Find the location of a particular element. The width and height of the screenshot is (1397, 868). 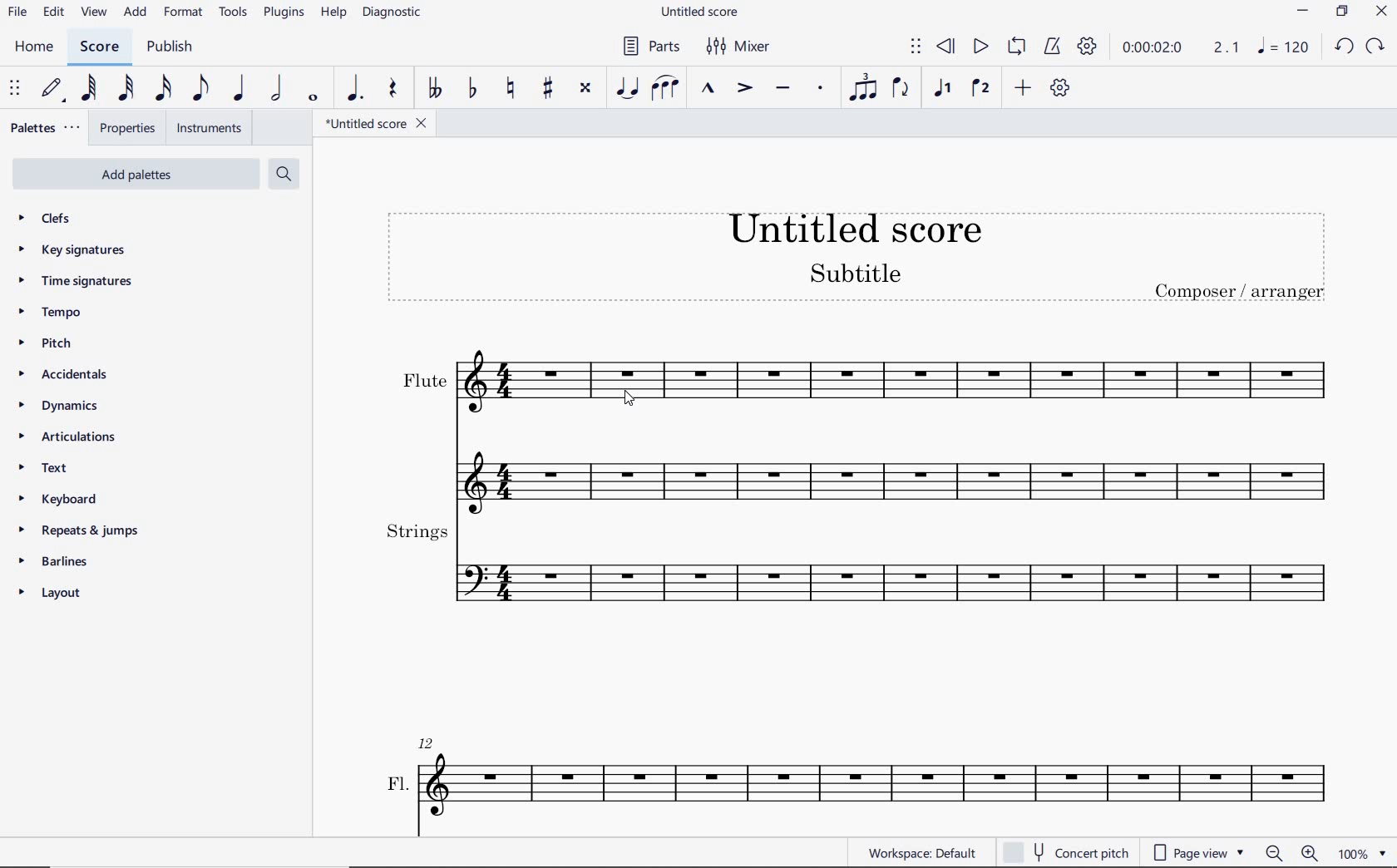

layout is located at coordinates (53, 595).